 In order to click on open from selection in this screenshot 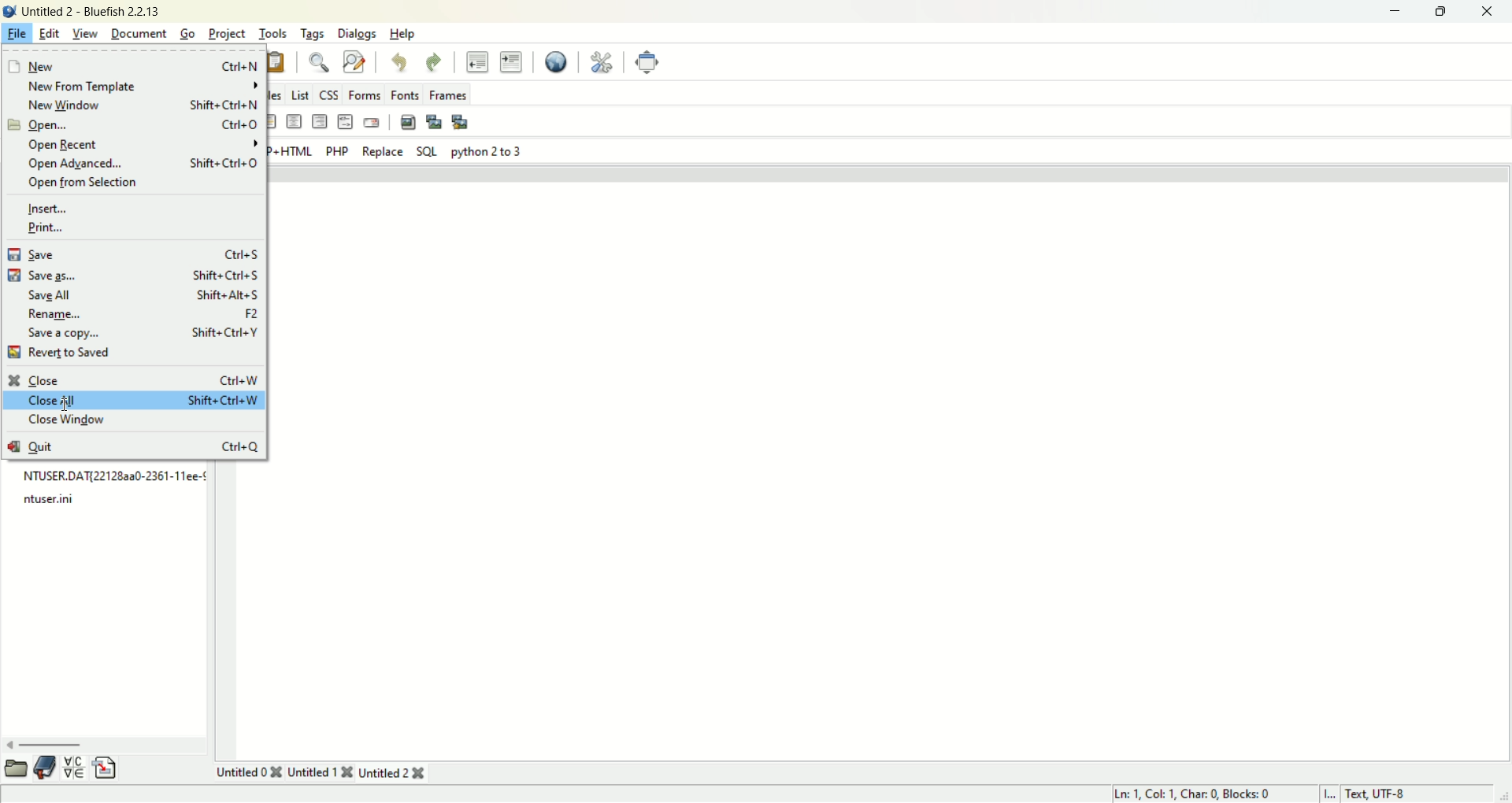, I will do `click(86, 184)`.